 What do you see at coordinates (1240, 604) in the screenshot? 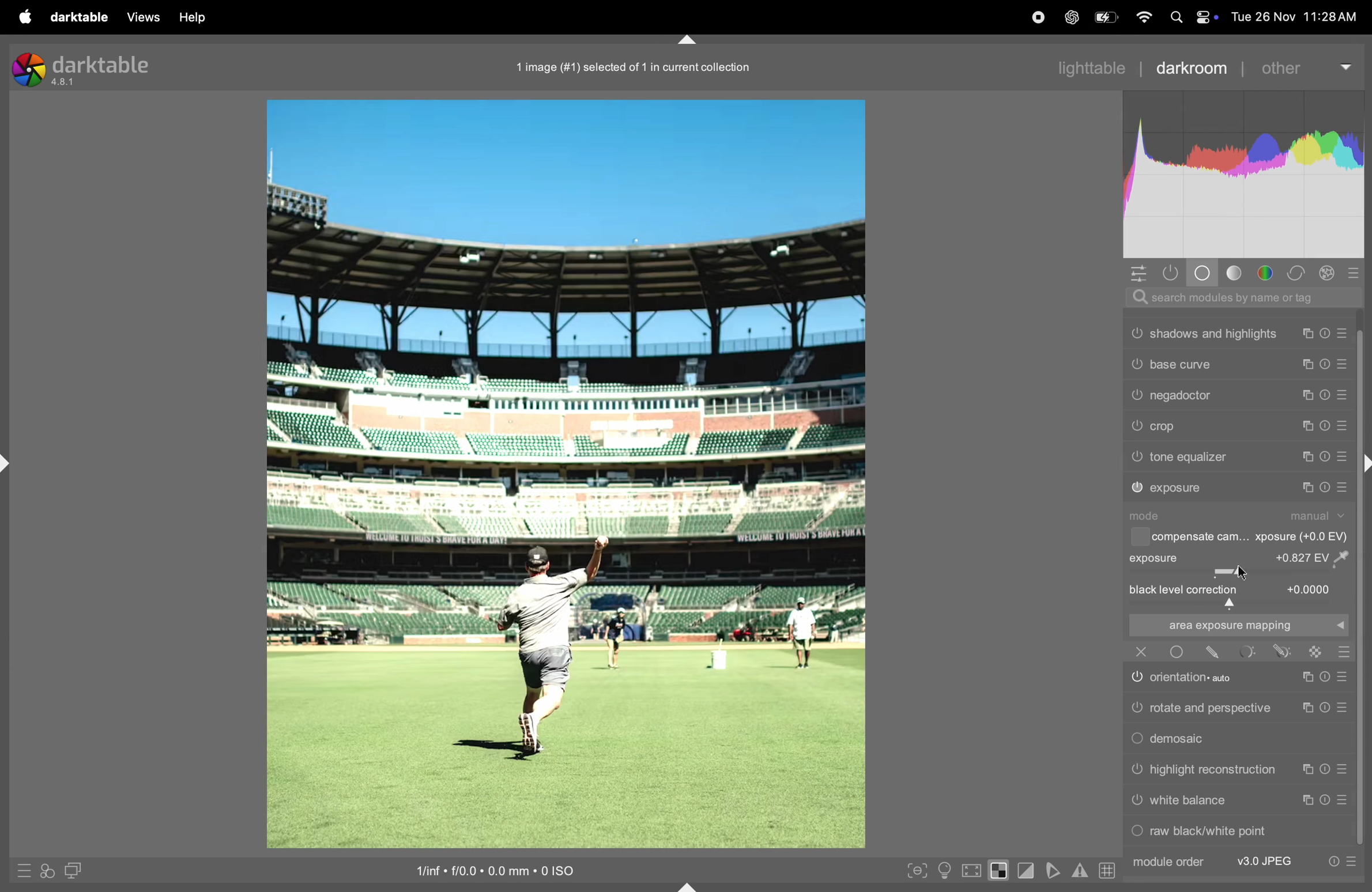
I see `slider` at bounding box center [1240, 604].